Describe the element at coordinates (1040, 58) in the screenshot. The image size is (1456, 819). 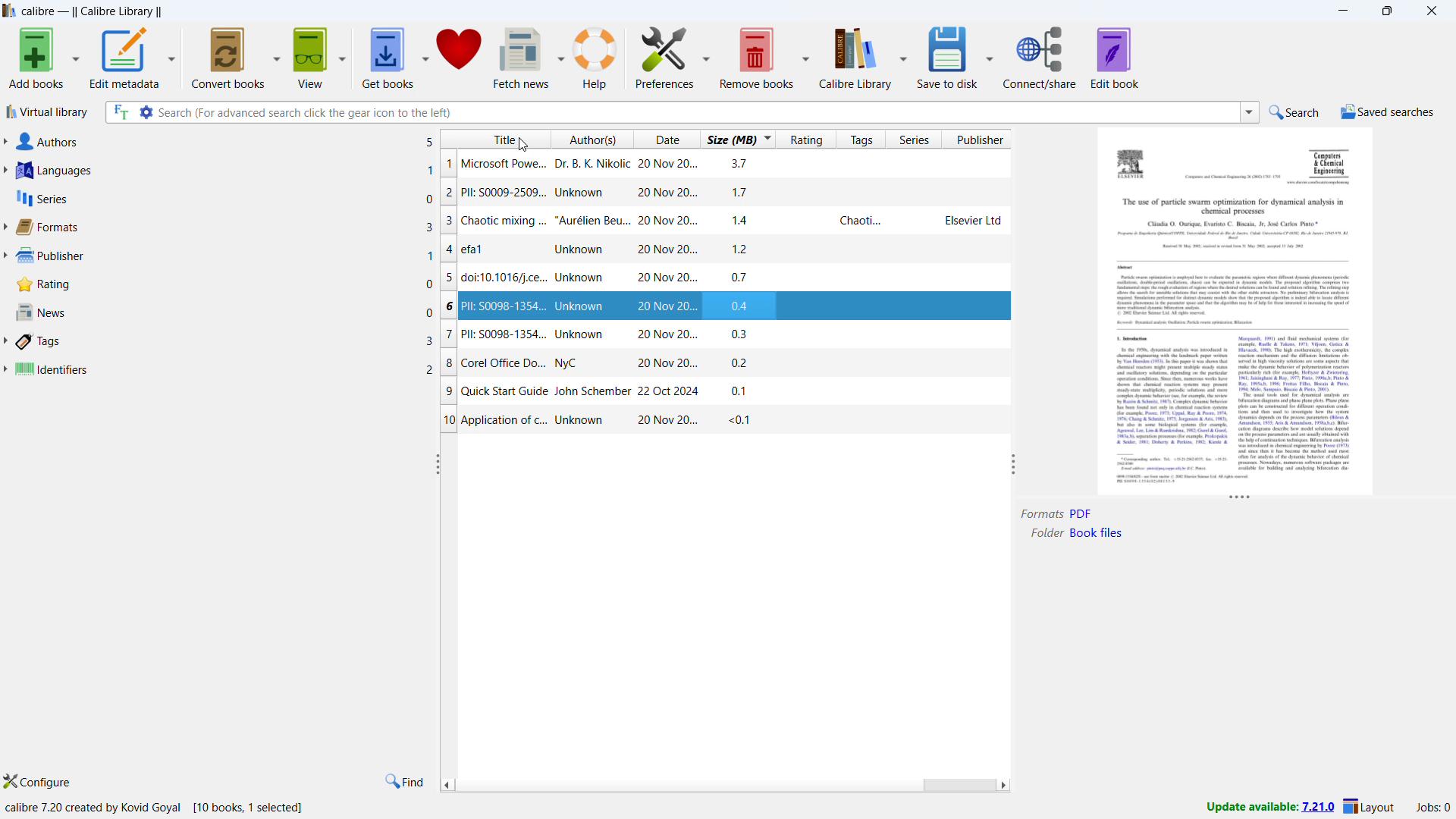
I see `connect/share` at that location.